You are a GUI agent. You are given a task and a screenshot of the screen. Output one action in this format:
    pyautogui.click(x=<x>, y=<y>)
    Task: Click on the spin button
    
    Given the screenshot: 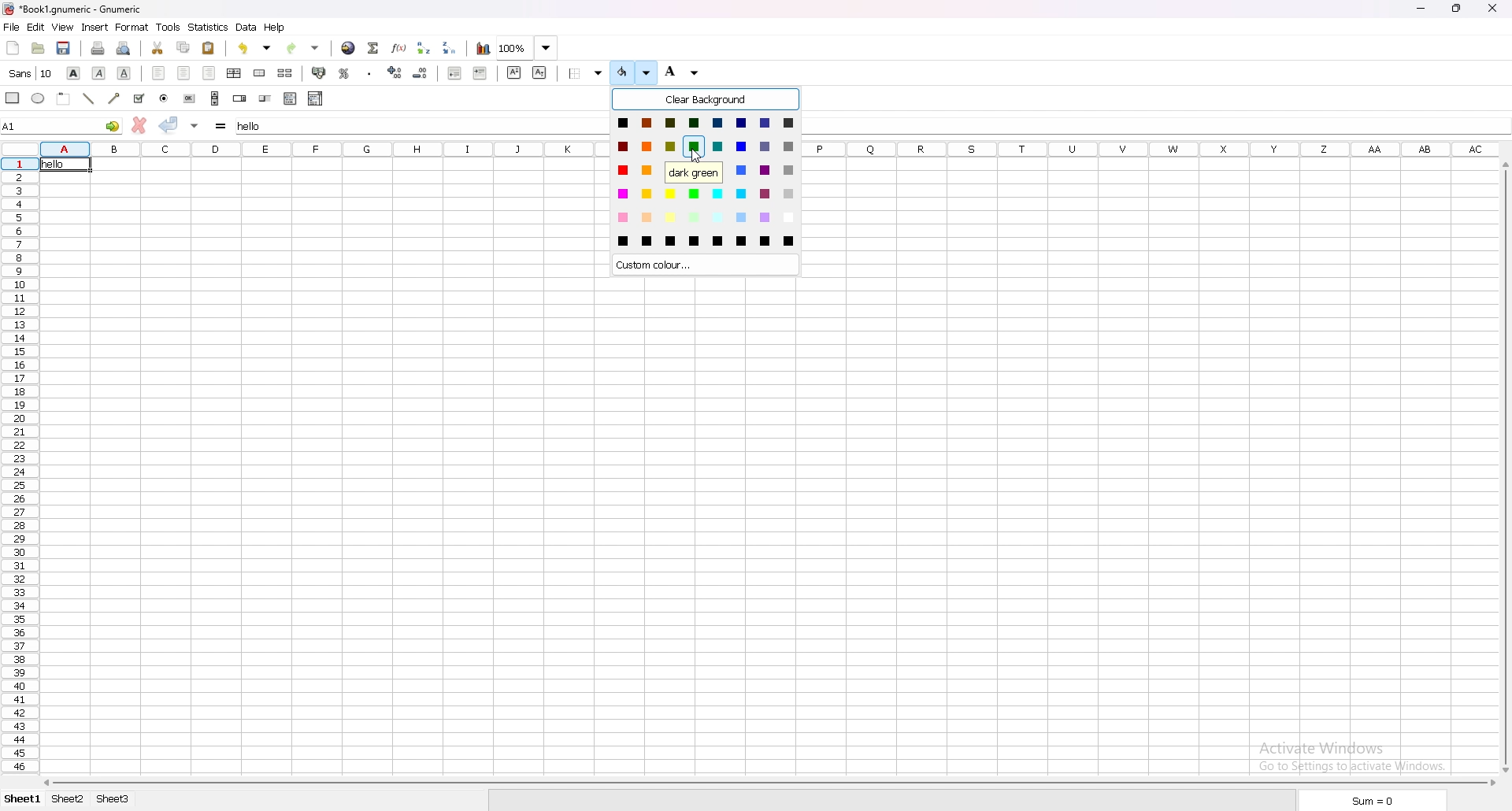 What is the action you would take?
    pyautogui.click(x=239, y=98)
    